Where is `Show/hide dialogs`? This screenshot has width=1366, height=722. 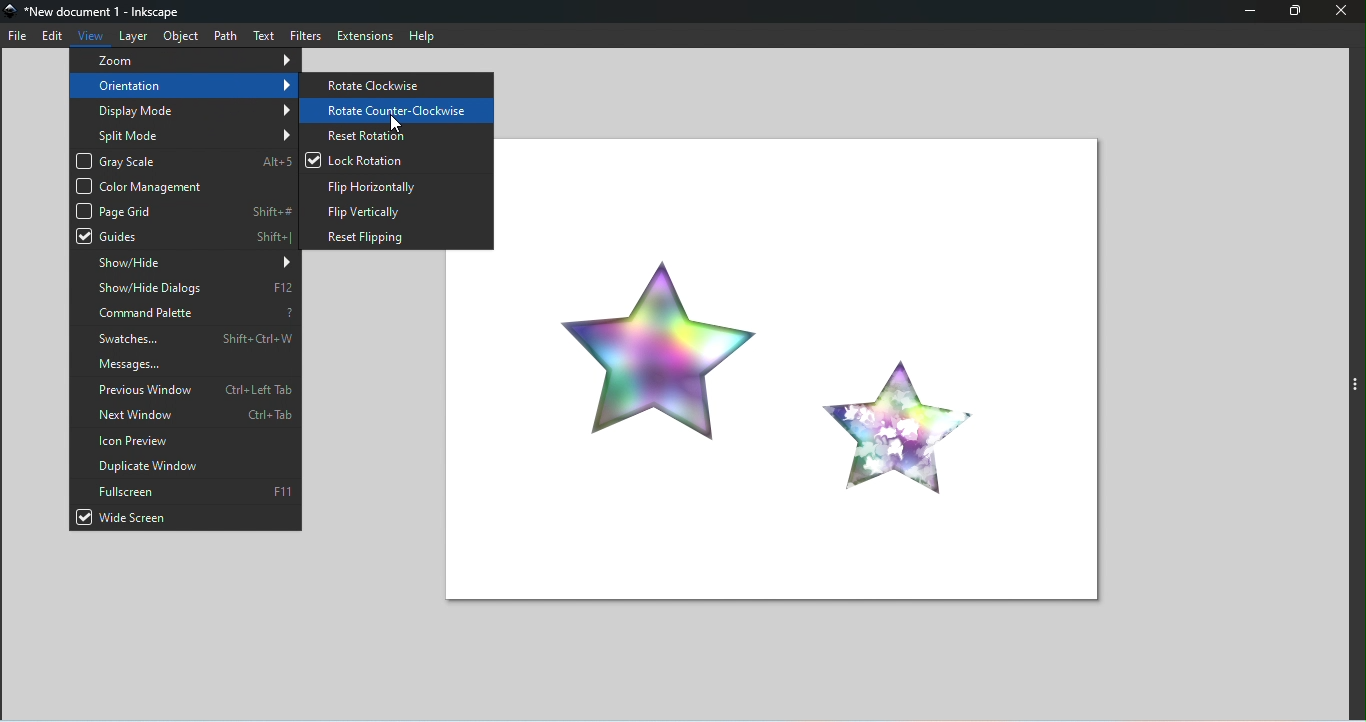 Show/hide dialogs is located at coordinates (187, 288).